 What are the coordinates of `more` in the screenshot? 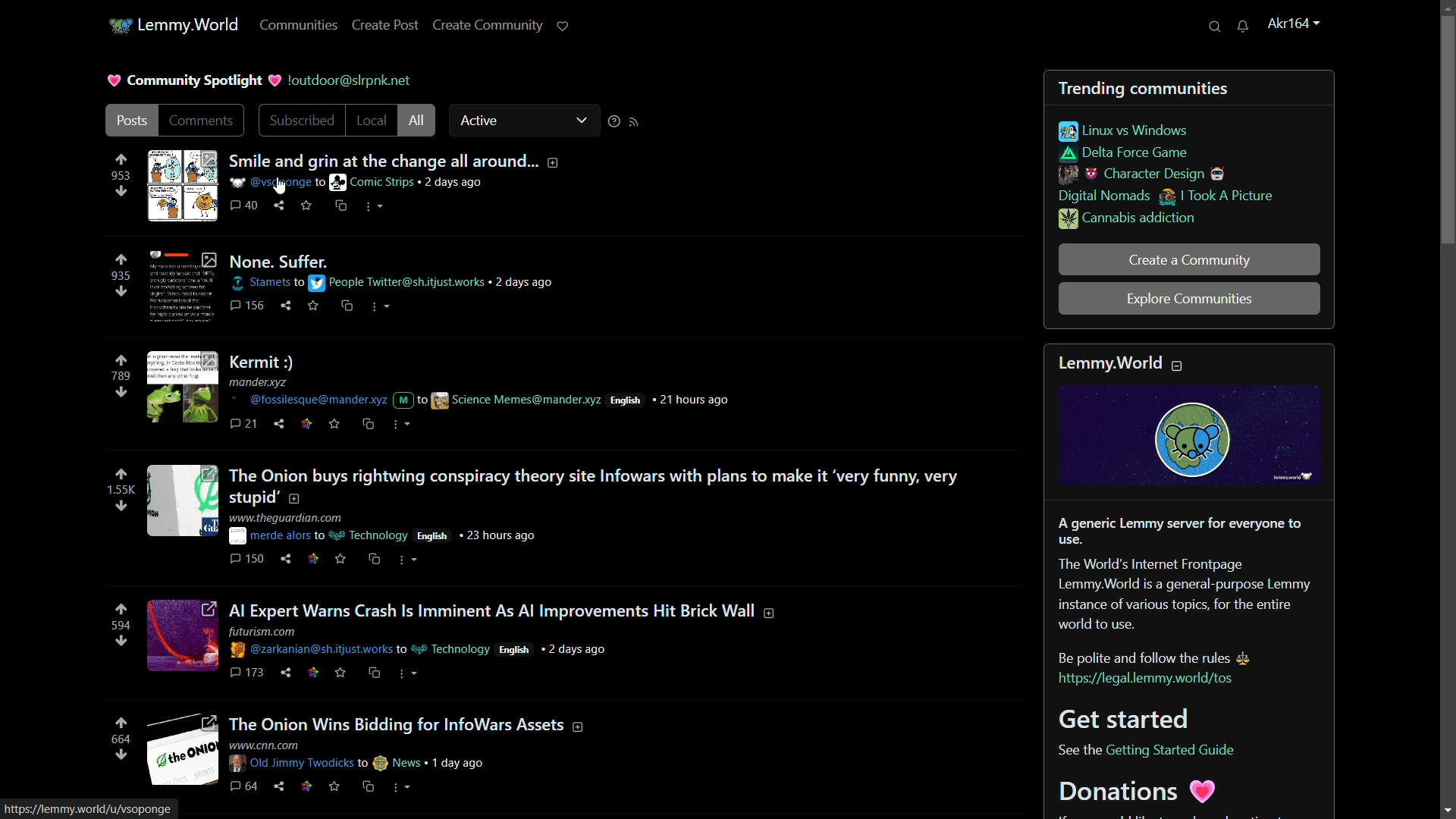 It's located at (380, 306).